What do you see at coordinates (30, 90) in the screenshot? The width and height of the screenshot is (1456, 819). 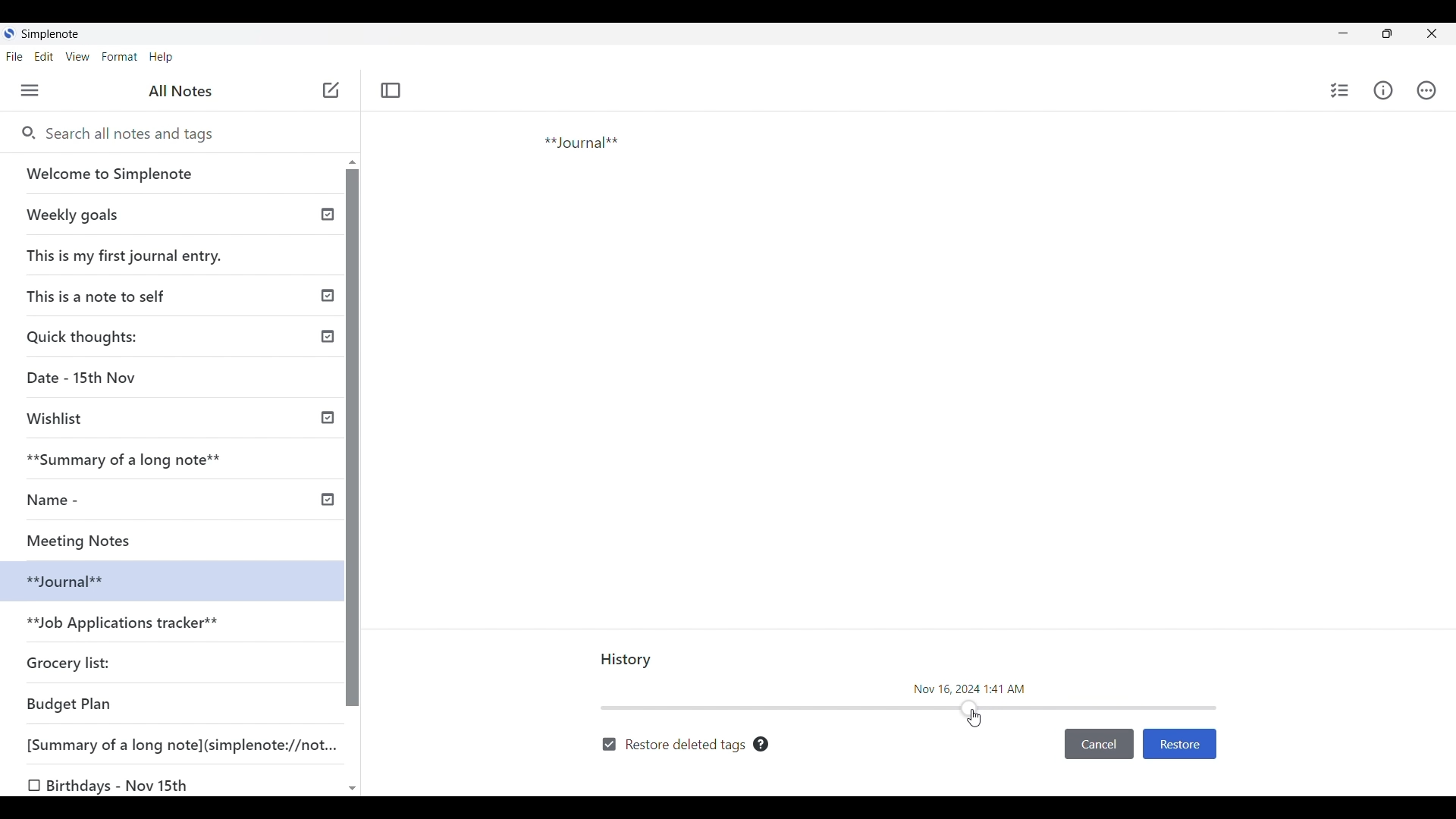 I see `Menu` at bounding box center [30, 90].